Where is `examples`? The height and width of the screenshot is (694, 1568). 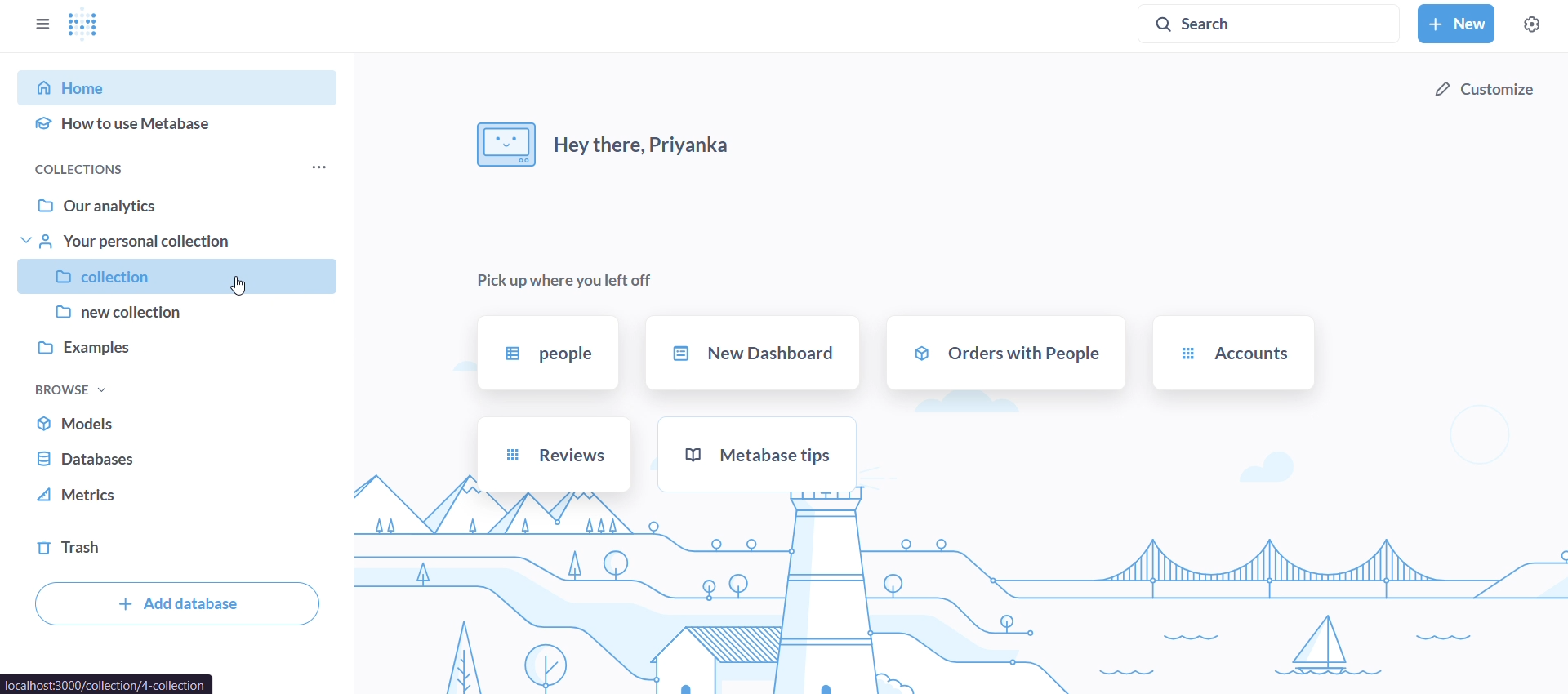 examples is located at coordinates (177, 350).